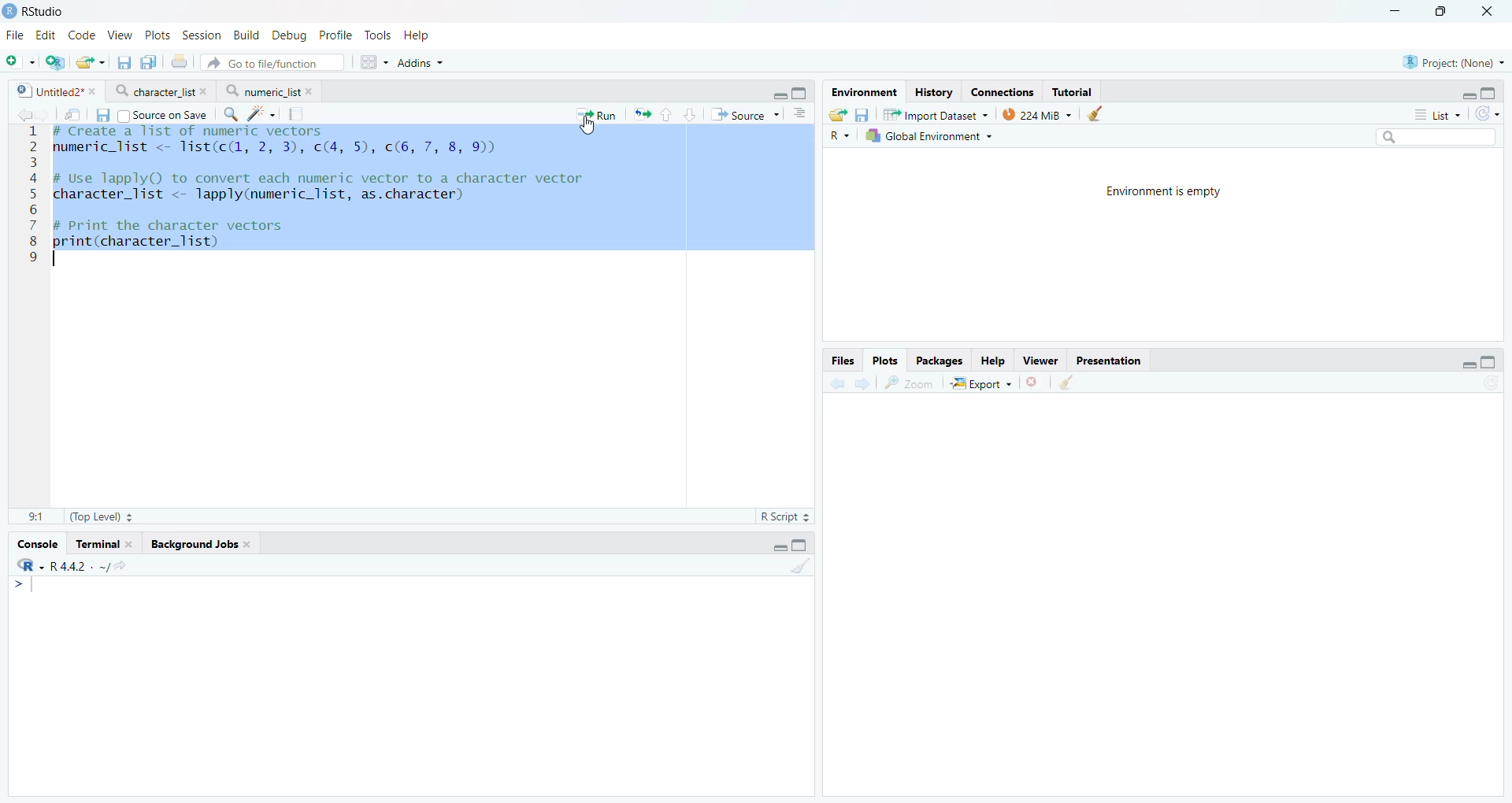 The width and height of the screenshot is (1512, 803). What do you see at coordinates (1469, 364) in the screenshot?
I see `Hide` at bounding box center [1469, 364].